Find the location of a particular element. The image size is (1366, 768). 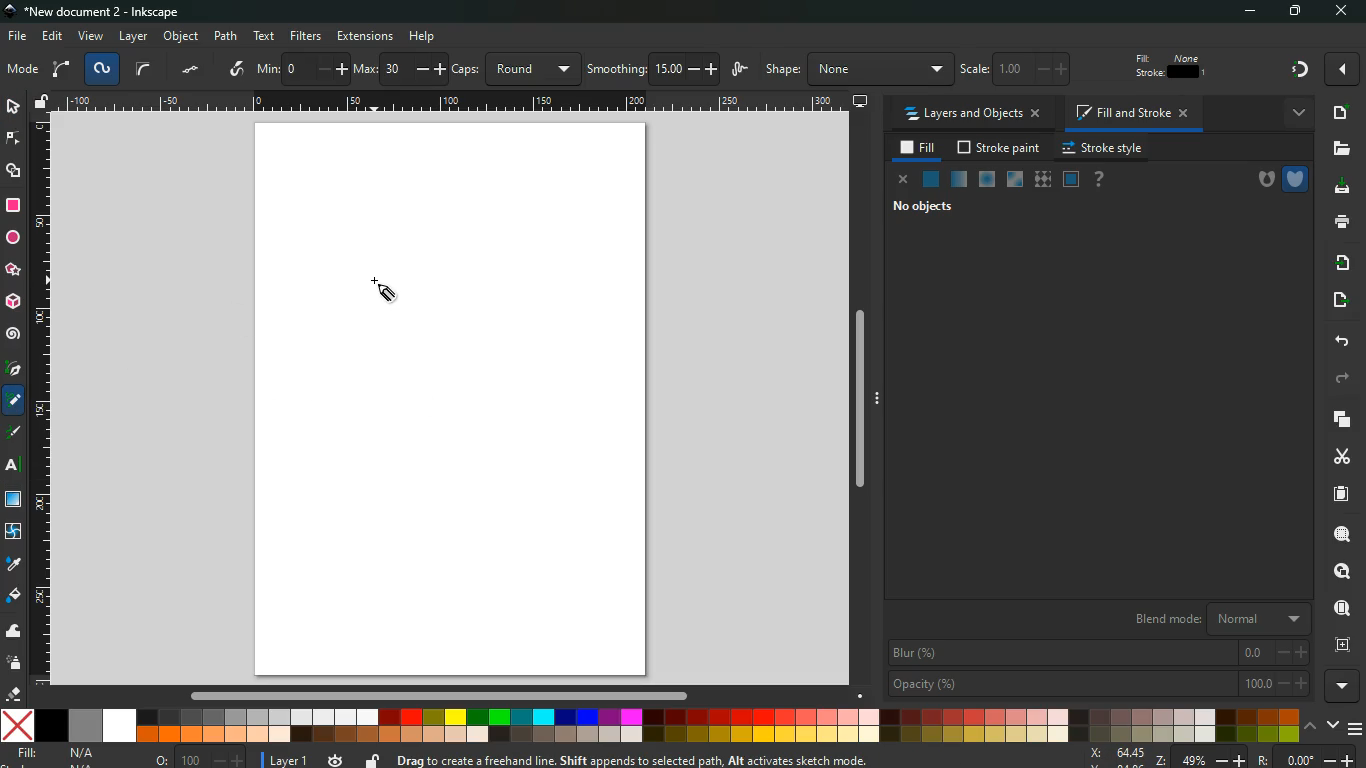

 is located at coordinates (453, 104).